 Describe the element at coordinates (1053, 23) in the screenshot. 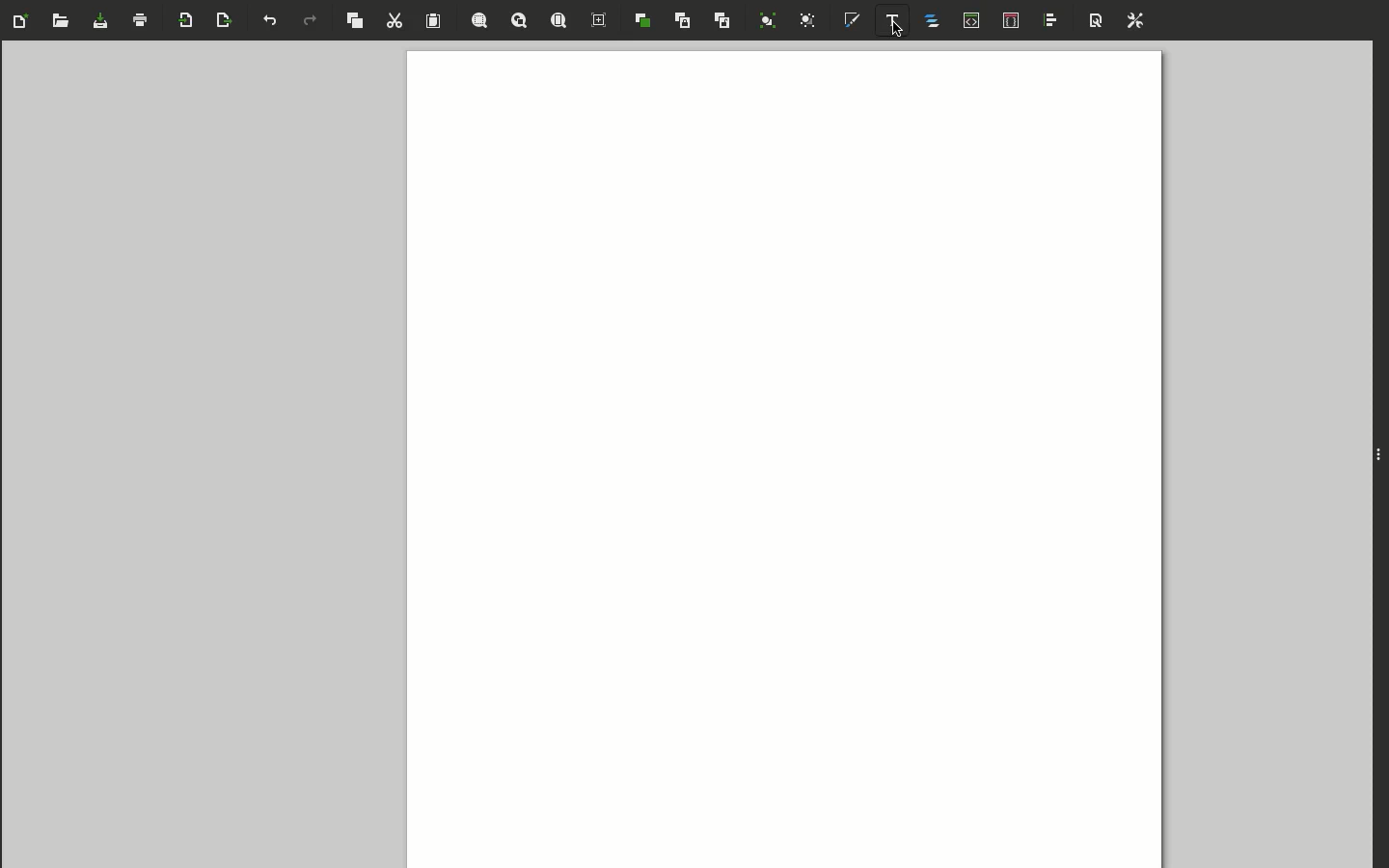

I see `Align and distribute` at that location.